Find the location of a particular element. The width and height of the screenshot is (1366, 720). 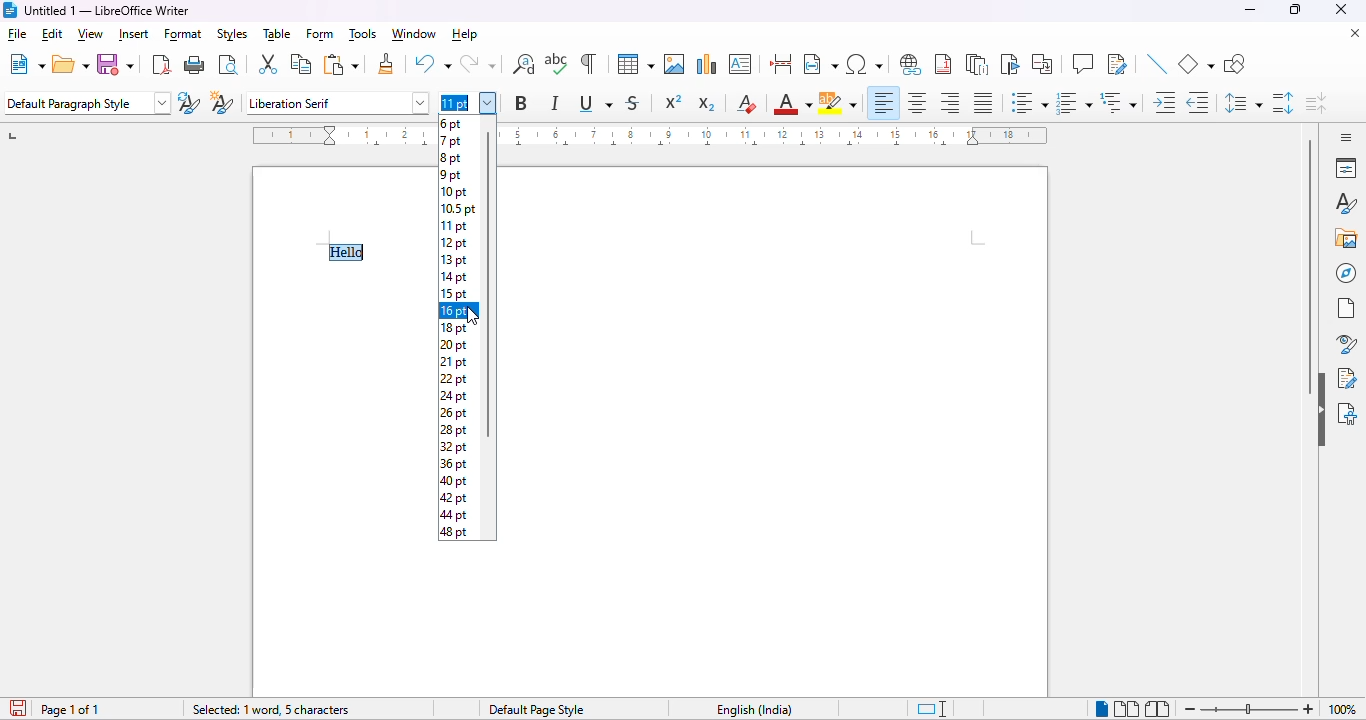

8 pt is located at coordinates (452, 158).